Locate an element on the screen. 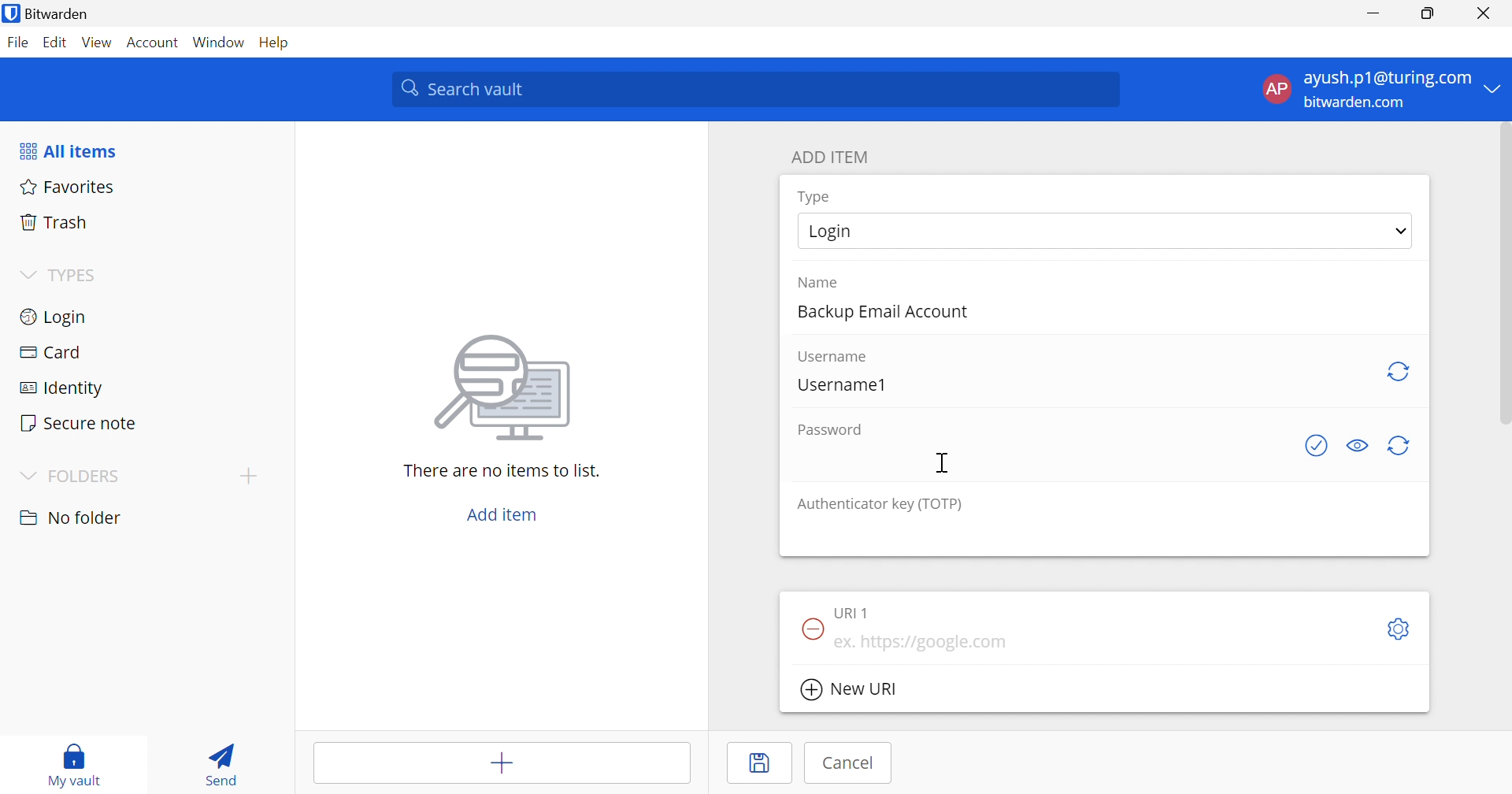 The image size is (1512, 794). Search vault is located at coordinates (759, 90).